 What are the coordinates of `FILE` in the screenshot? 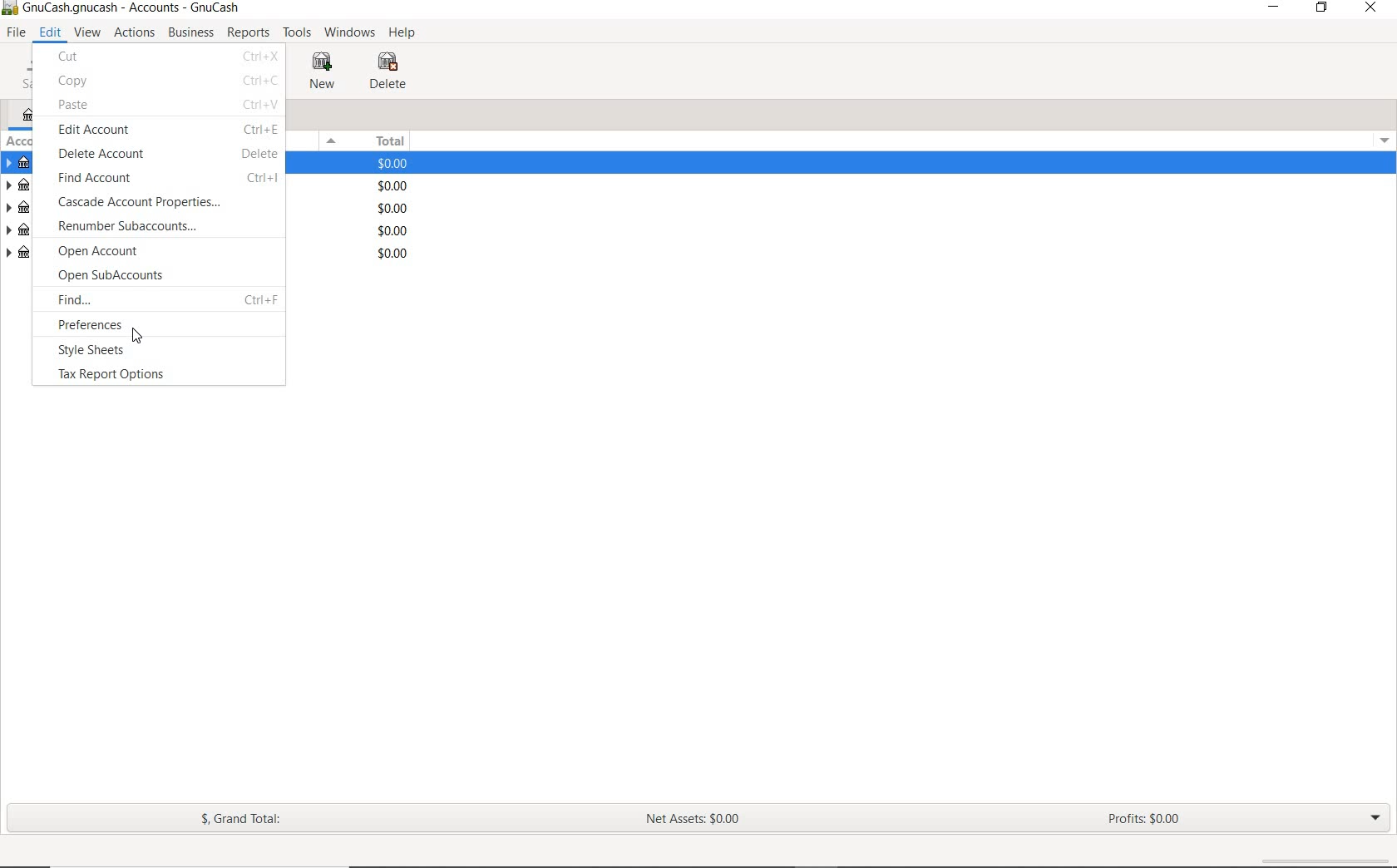 It's located at (15, 33).